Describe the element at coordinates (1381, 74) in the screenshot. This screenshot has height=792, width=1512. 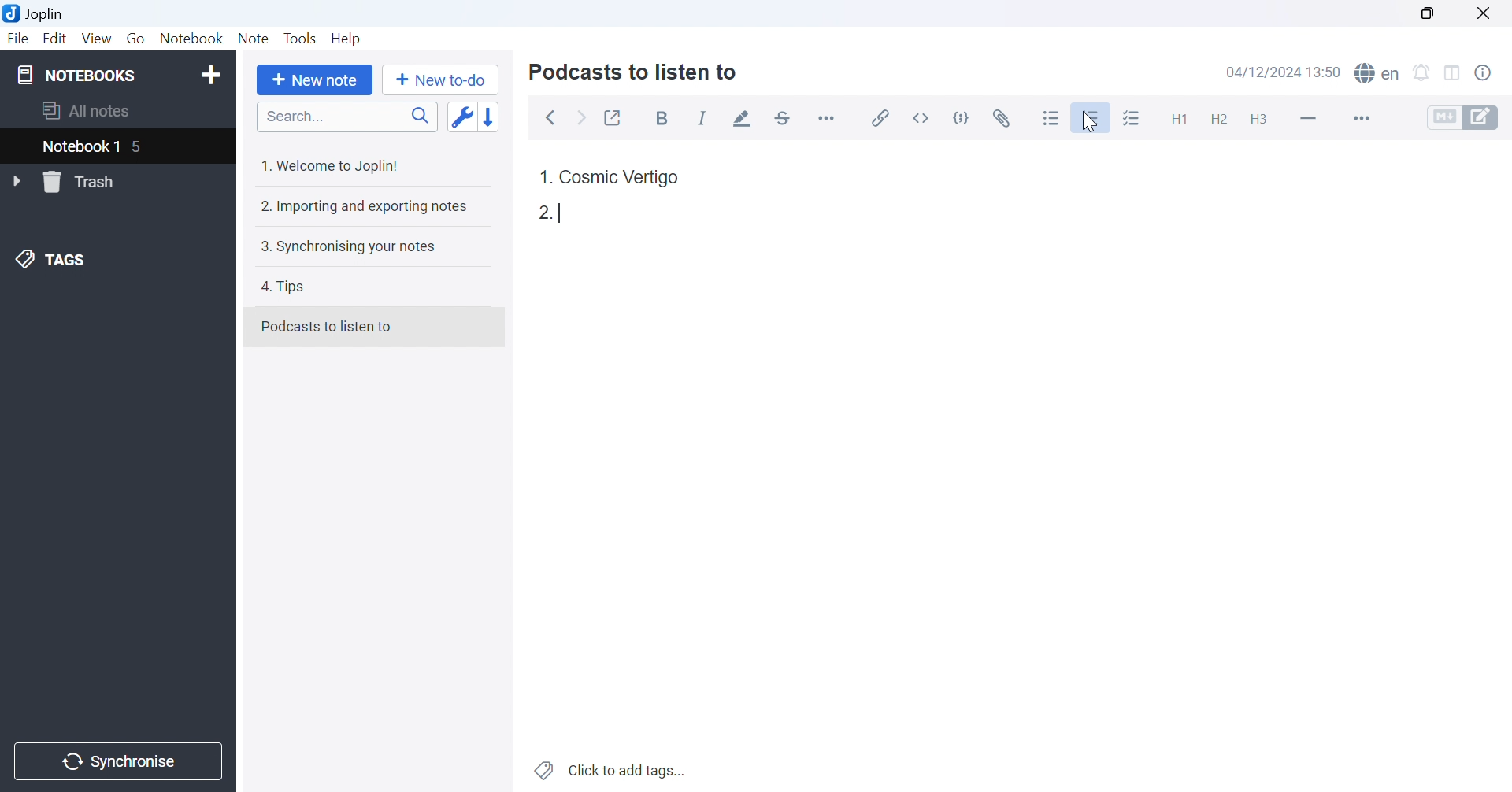
I see `spell checker` at that location.